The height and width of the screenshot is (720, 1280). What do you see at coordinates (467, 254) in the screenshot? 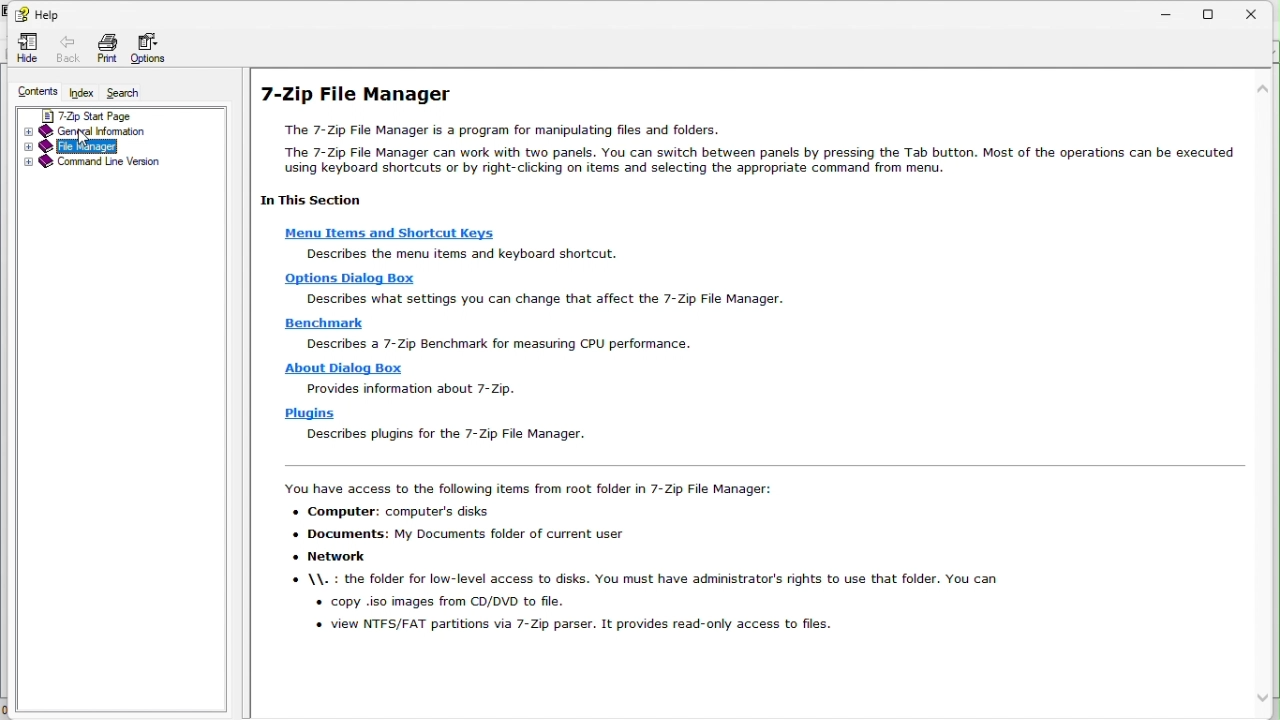
I see `Describe menu items and shortcut keys` at bounding box center [467, 254].